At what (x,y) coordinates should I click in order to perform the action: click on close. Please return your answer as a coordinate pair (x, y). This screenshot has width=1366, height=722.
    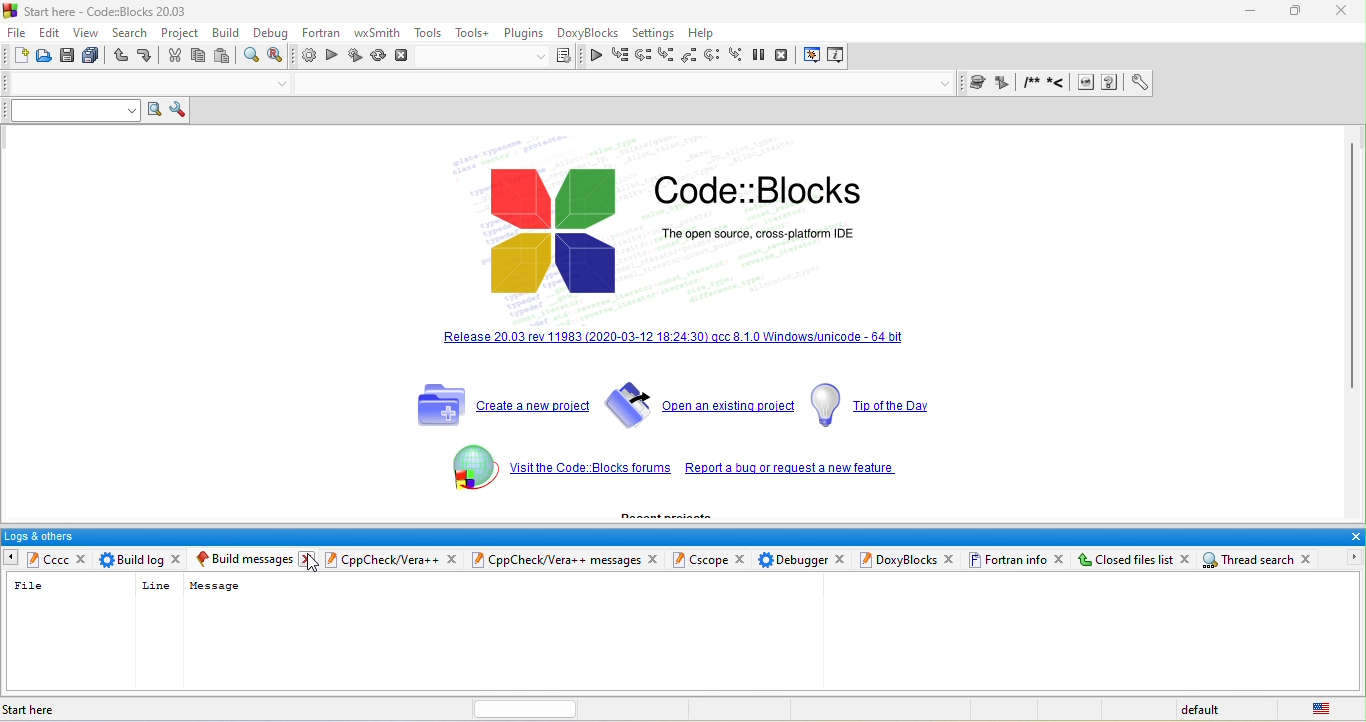
    Looking at the image, I should click on (743, 559).